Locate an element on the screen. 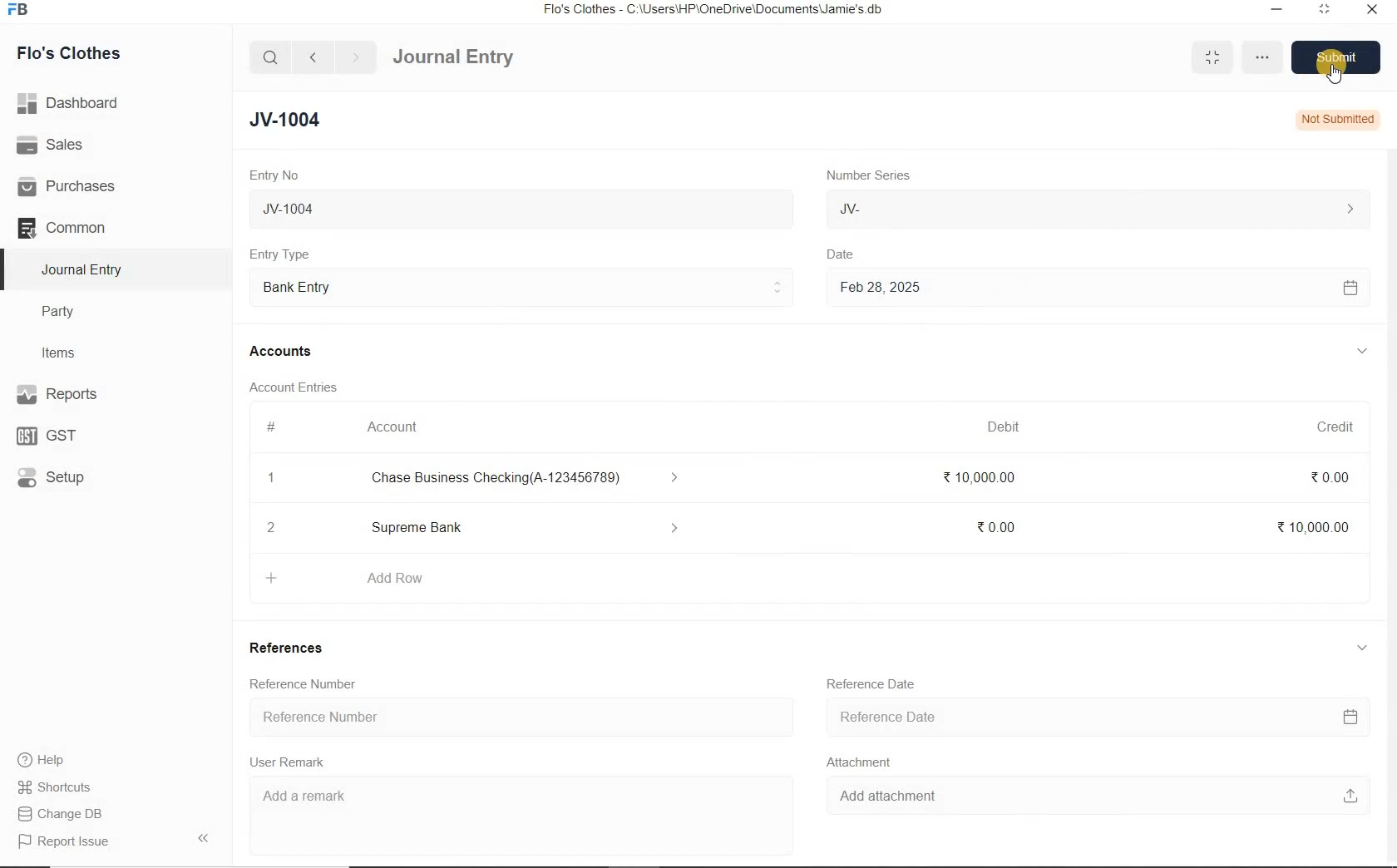 The image size is (1397, 868). 1 is located at coordinates (272, 480).